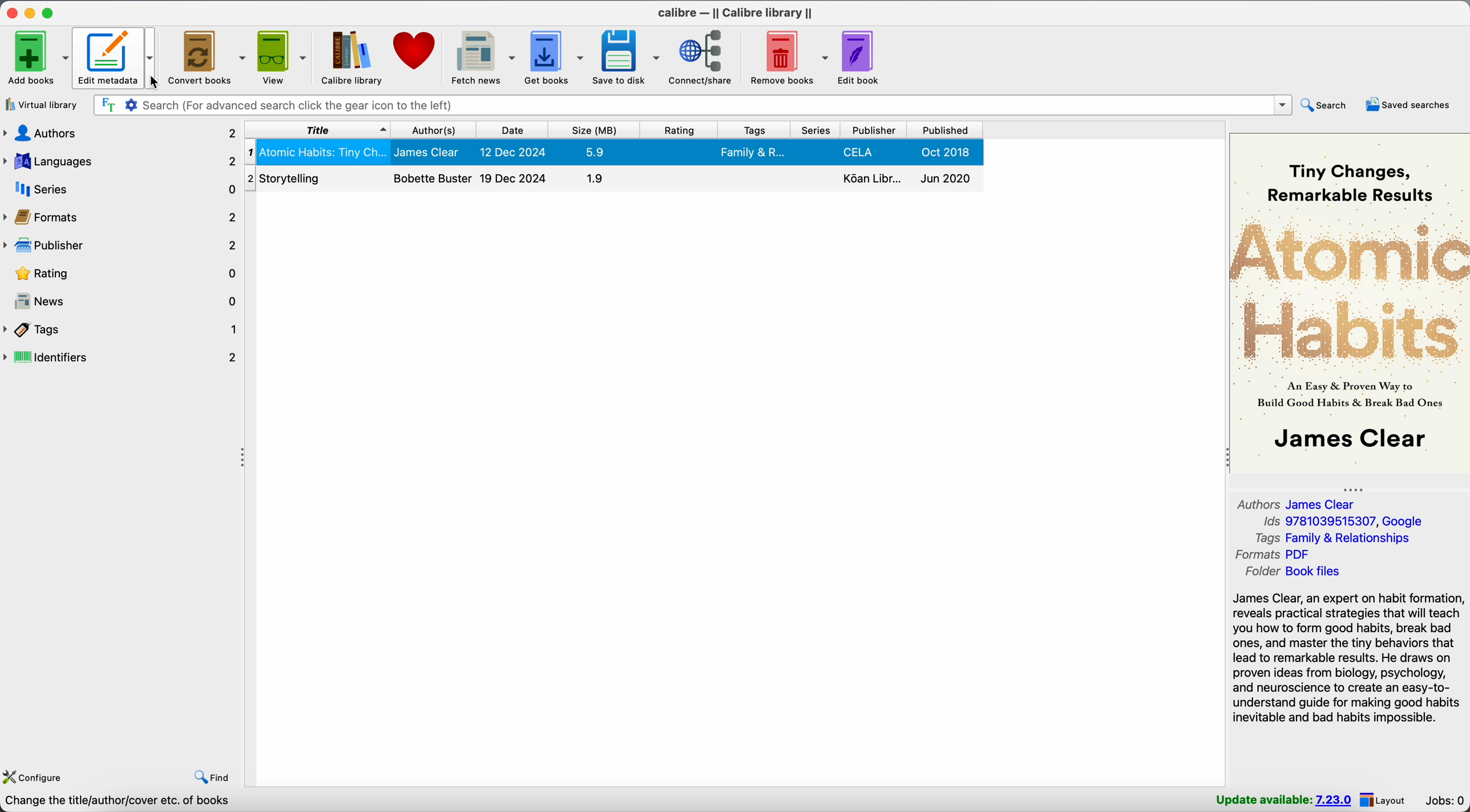  I want to click on tags, so click(753, 130).